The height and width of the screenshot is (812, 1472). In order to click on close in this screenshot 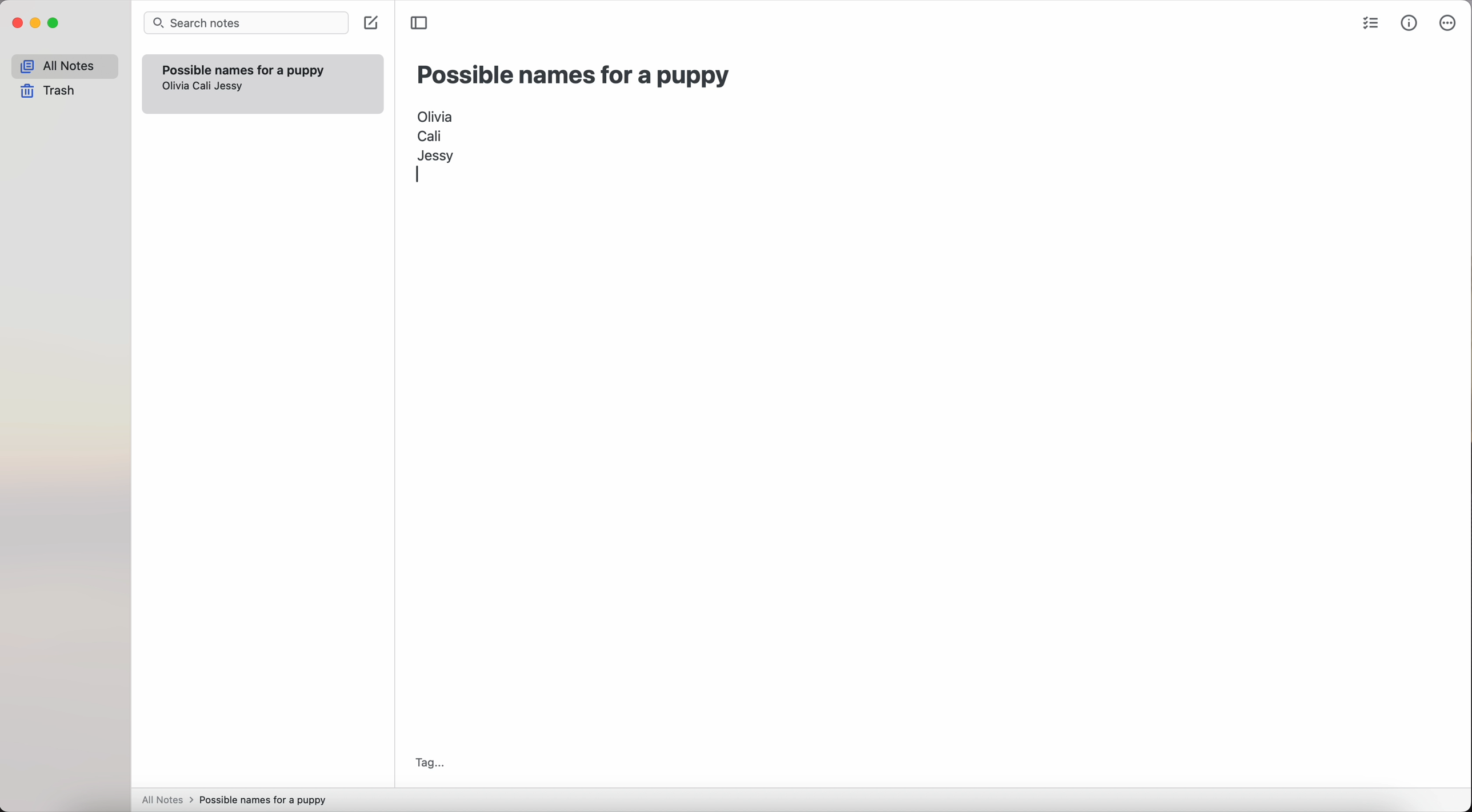, I will do `click(16, 25)`.